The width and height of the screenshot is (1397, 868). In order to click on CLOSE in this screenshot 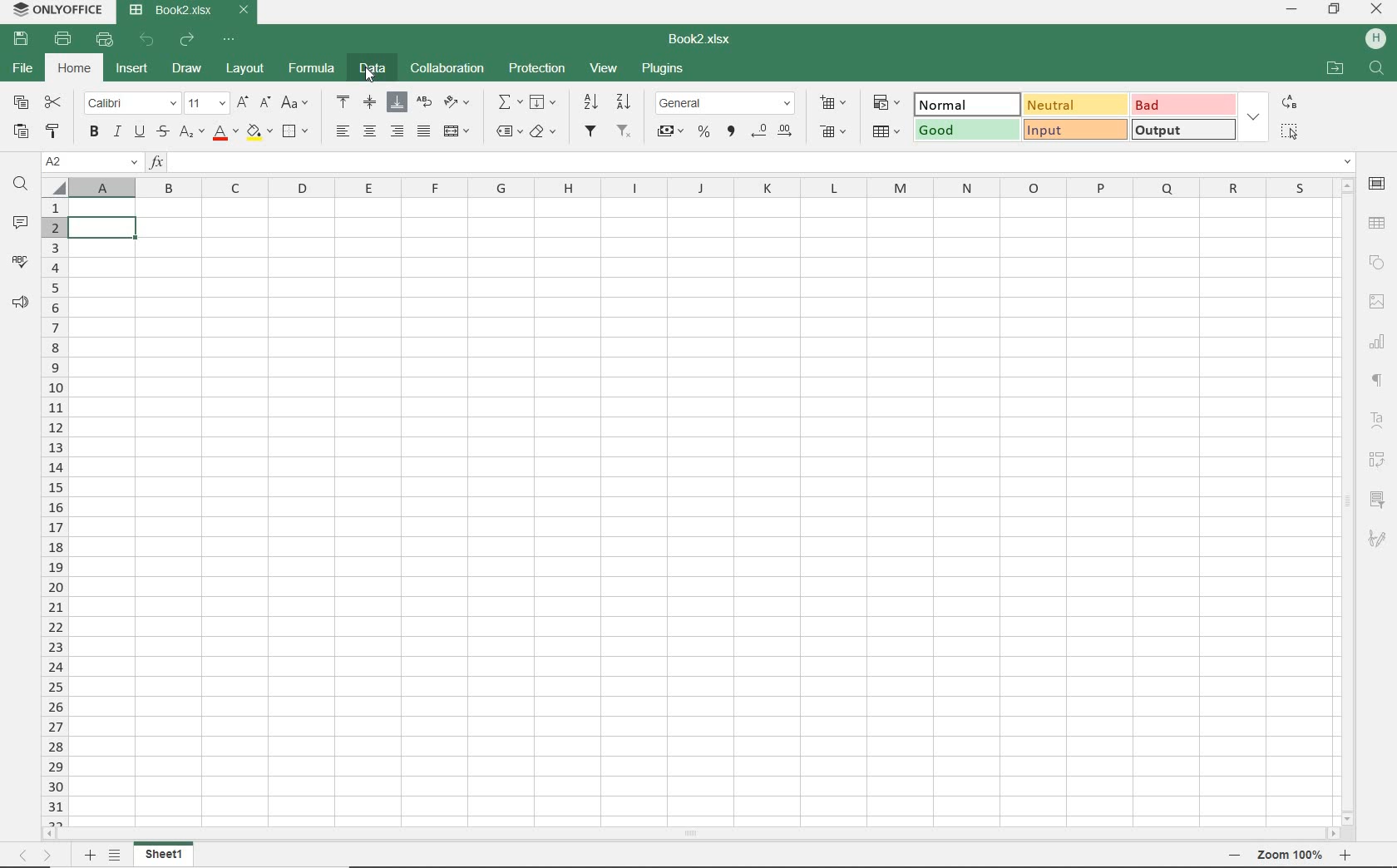, I will do `click(1375, 10)`.